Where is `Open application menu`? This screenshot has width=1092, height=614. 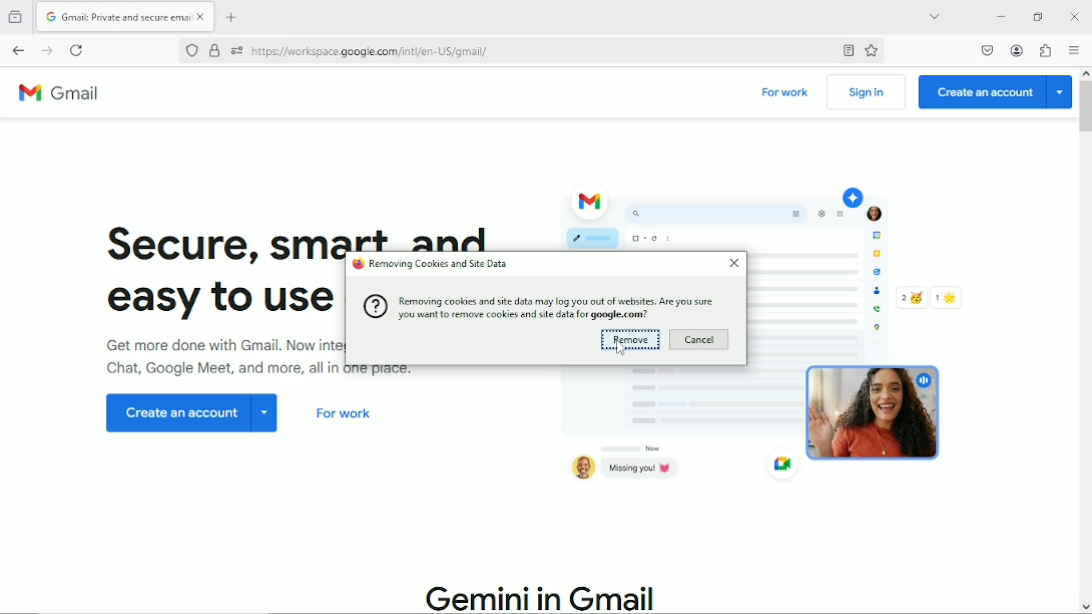 Open application menu is located at coordinates (1075, 52).